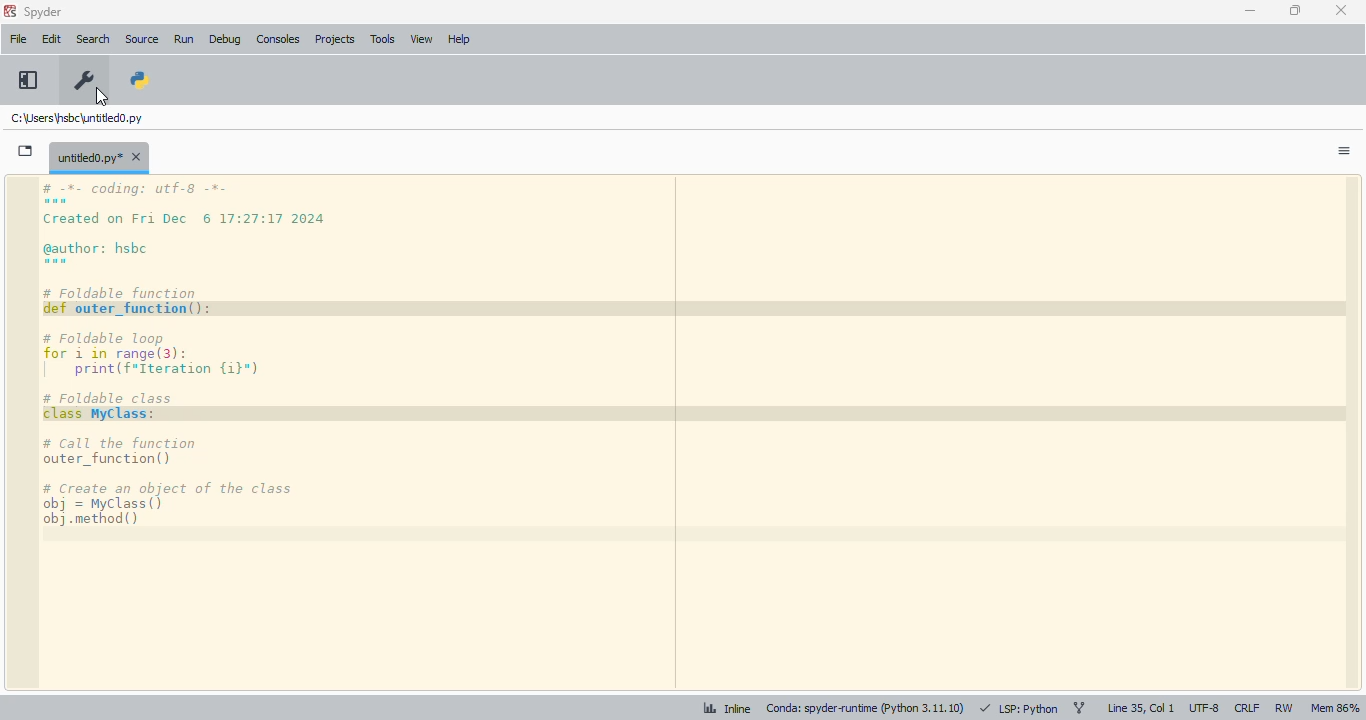 This screenshot has width=1366, height=720. I want to click on maximize, so click(1296, 10).